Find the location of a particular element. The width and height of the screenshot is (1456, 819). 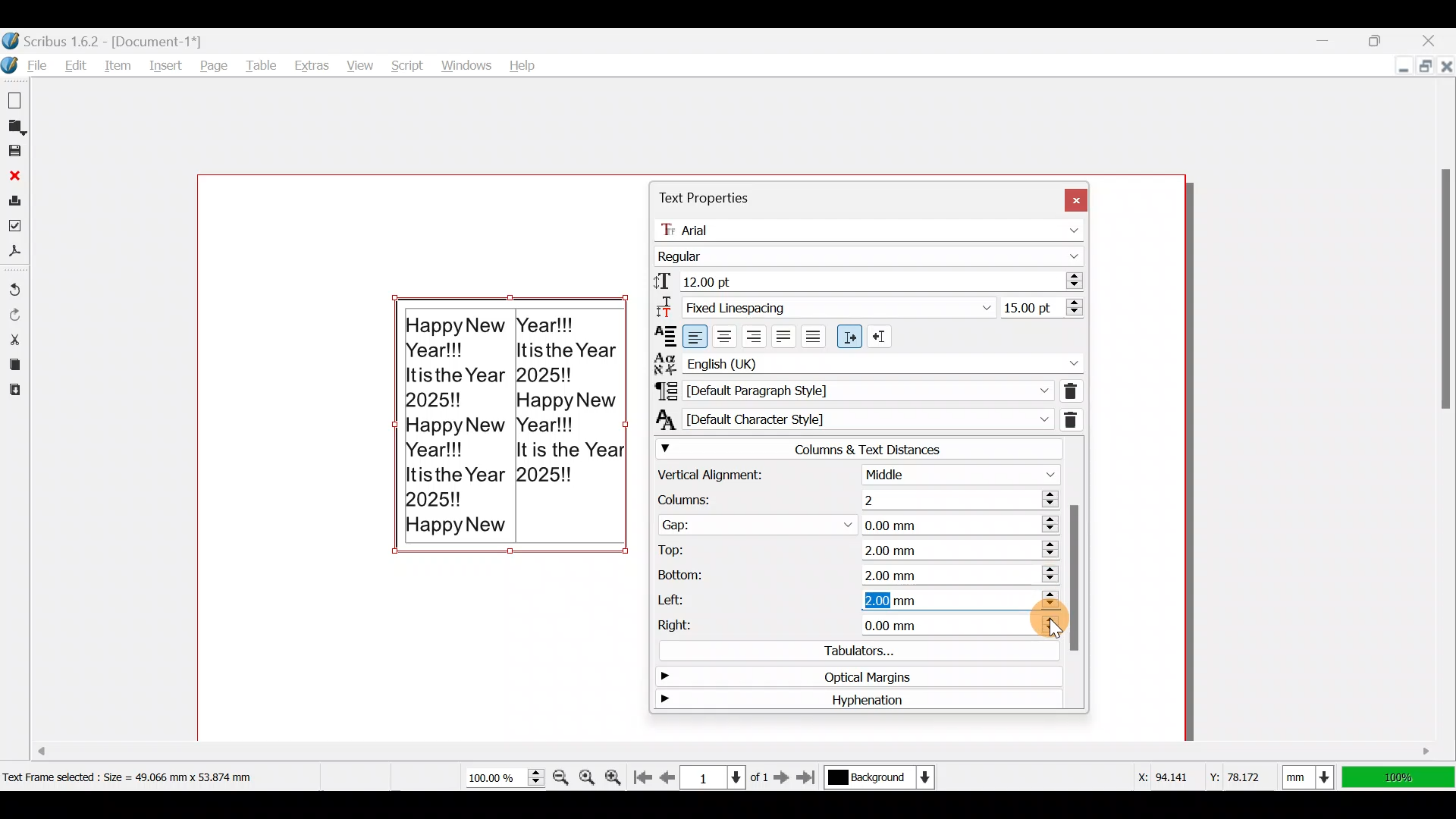

Left to right paragraph is located at coordinates (849, 337).